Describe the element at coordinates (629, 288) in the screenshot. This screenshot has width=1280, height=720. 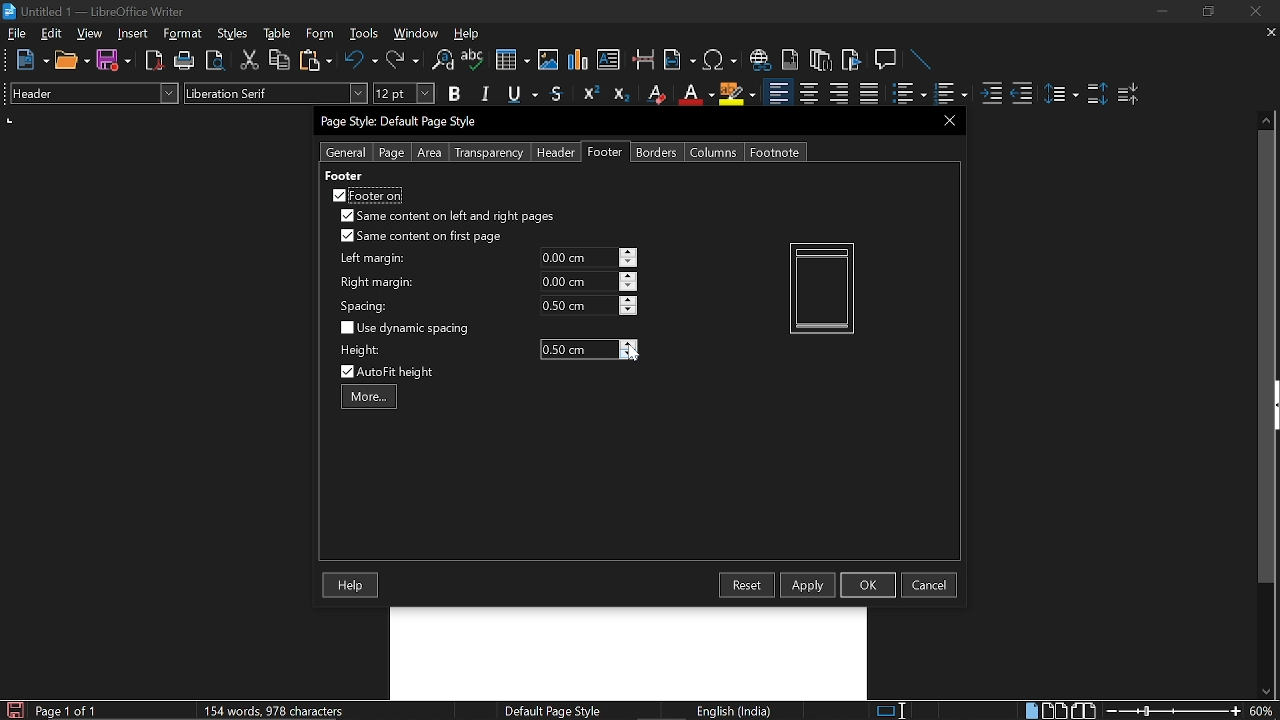
I see `decrease right margin` at that location.